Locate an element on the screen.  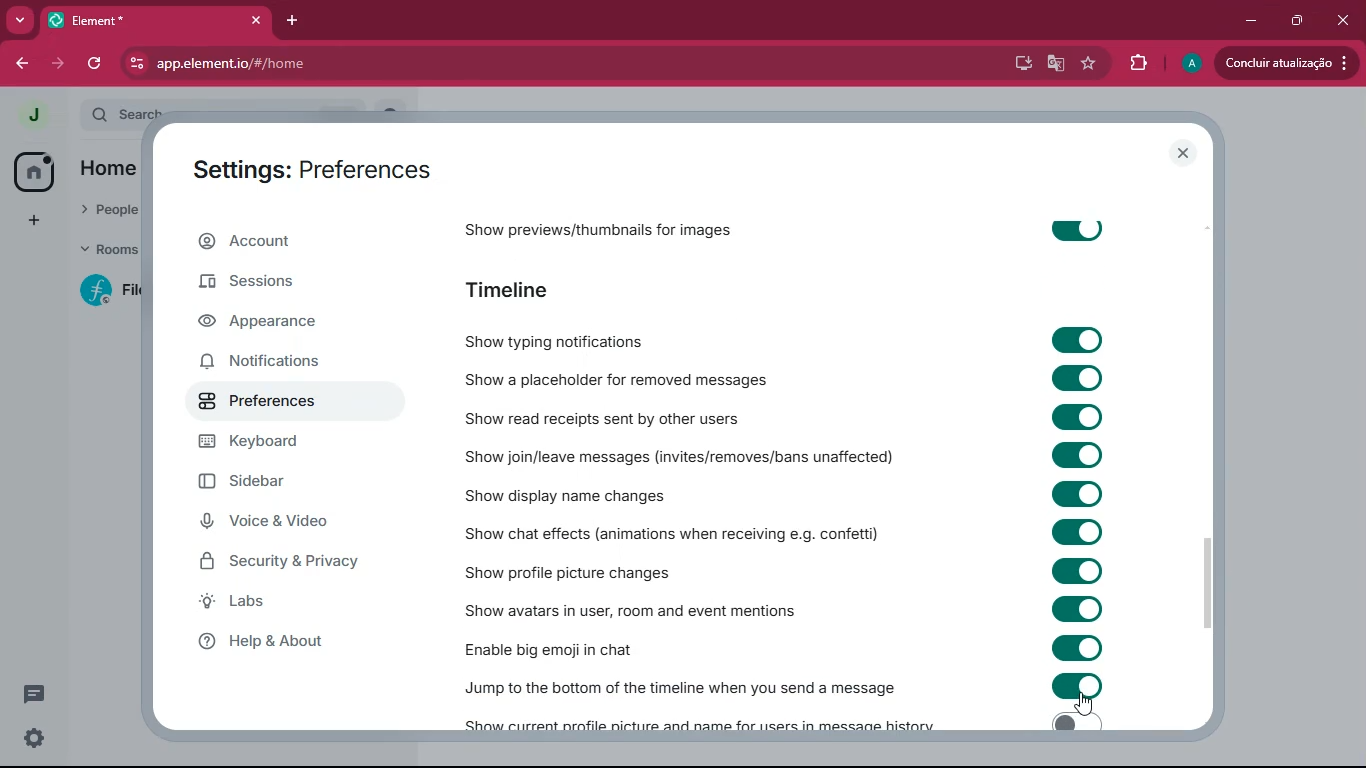
home is located at coordinates (107, 173).